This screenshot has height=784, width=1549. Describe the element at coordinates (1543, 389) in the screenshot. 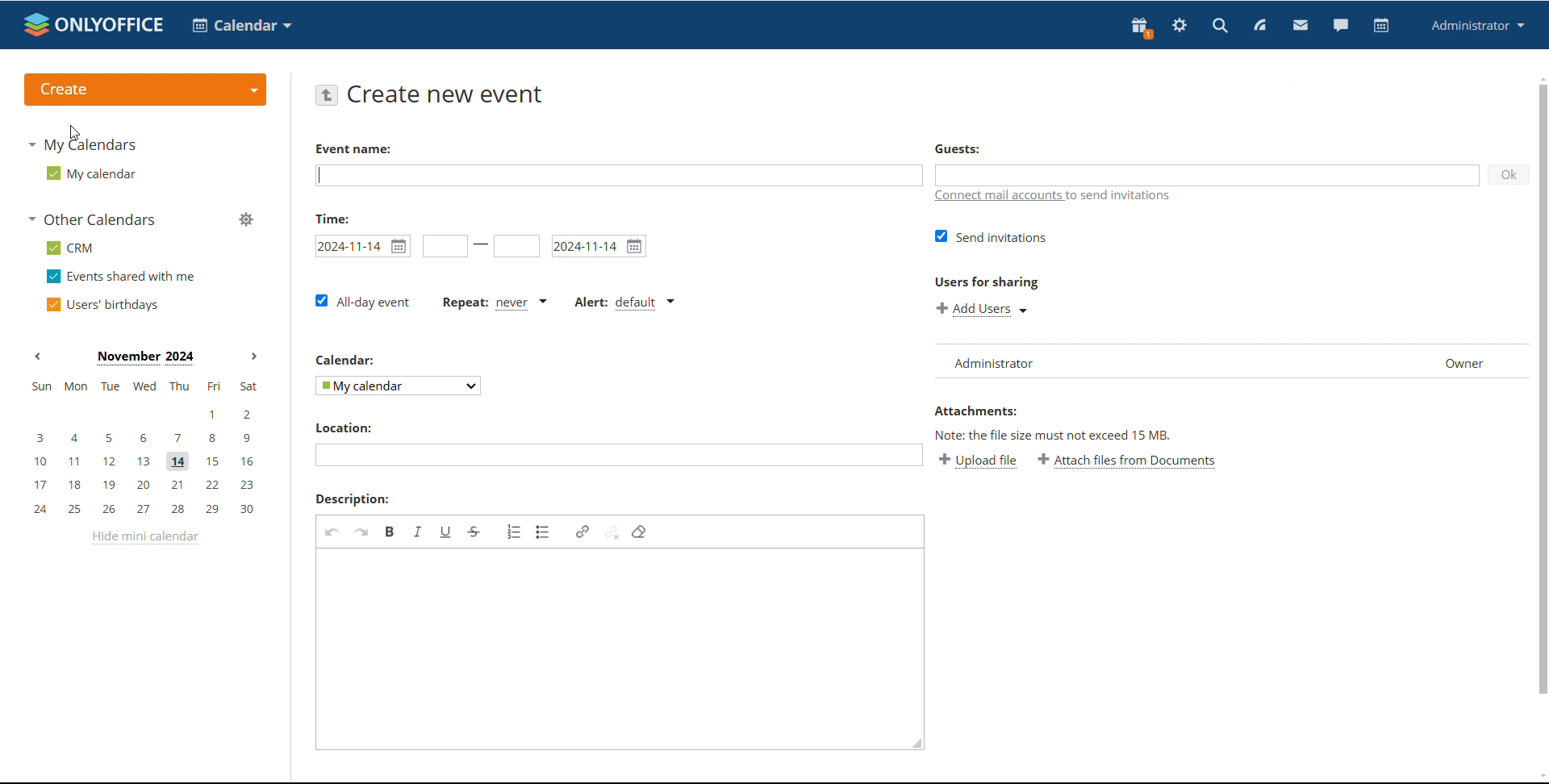

I see `scrollbar` at that location.